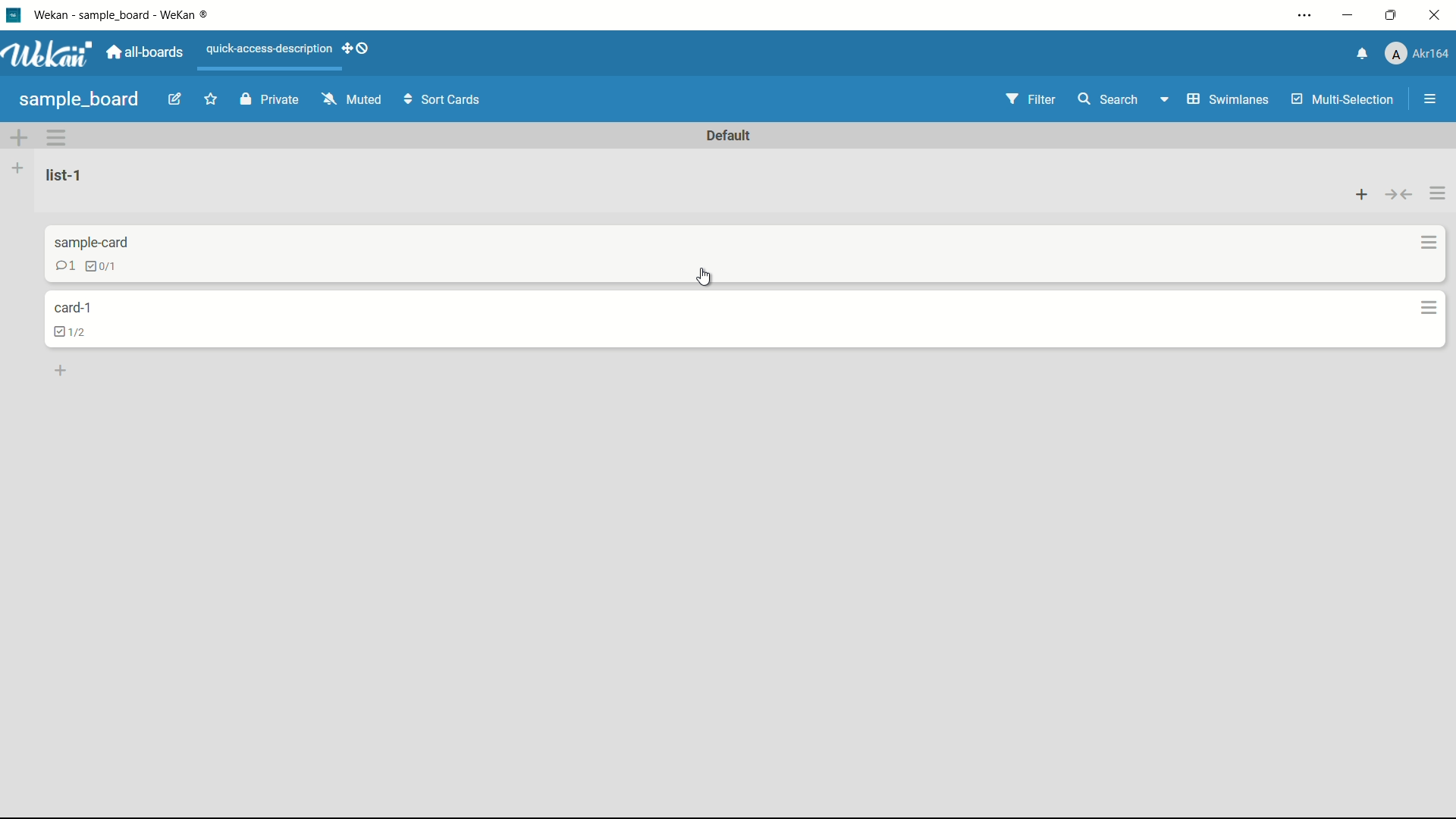 The width and height of the screenshot is (1456, 819). I want to click on checklist, so click(74, 331).